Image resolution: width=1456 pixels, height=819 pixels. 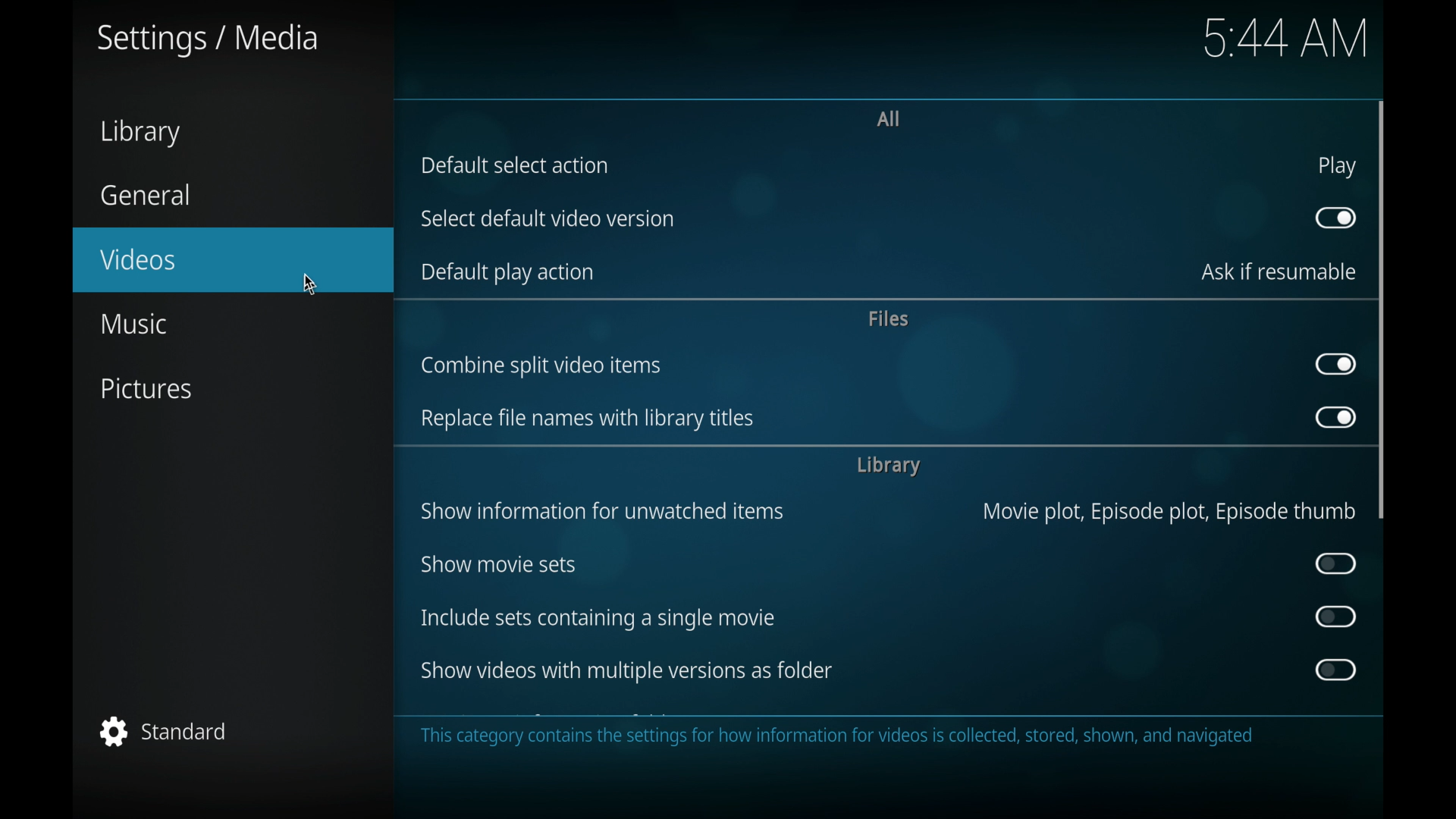 I want to click on movie plot, so click(x=1169, y=512).